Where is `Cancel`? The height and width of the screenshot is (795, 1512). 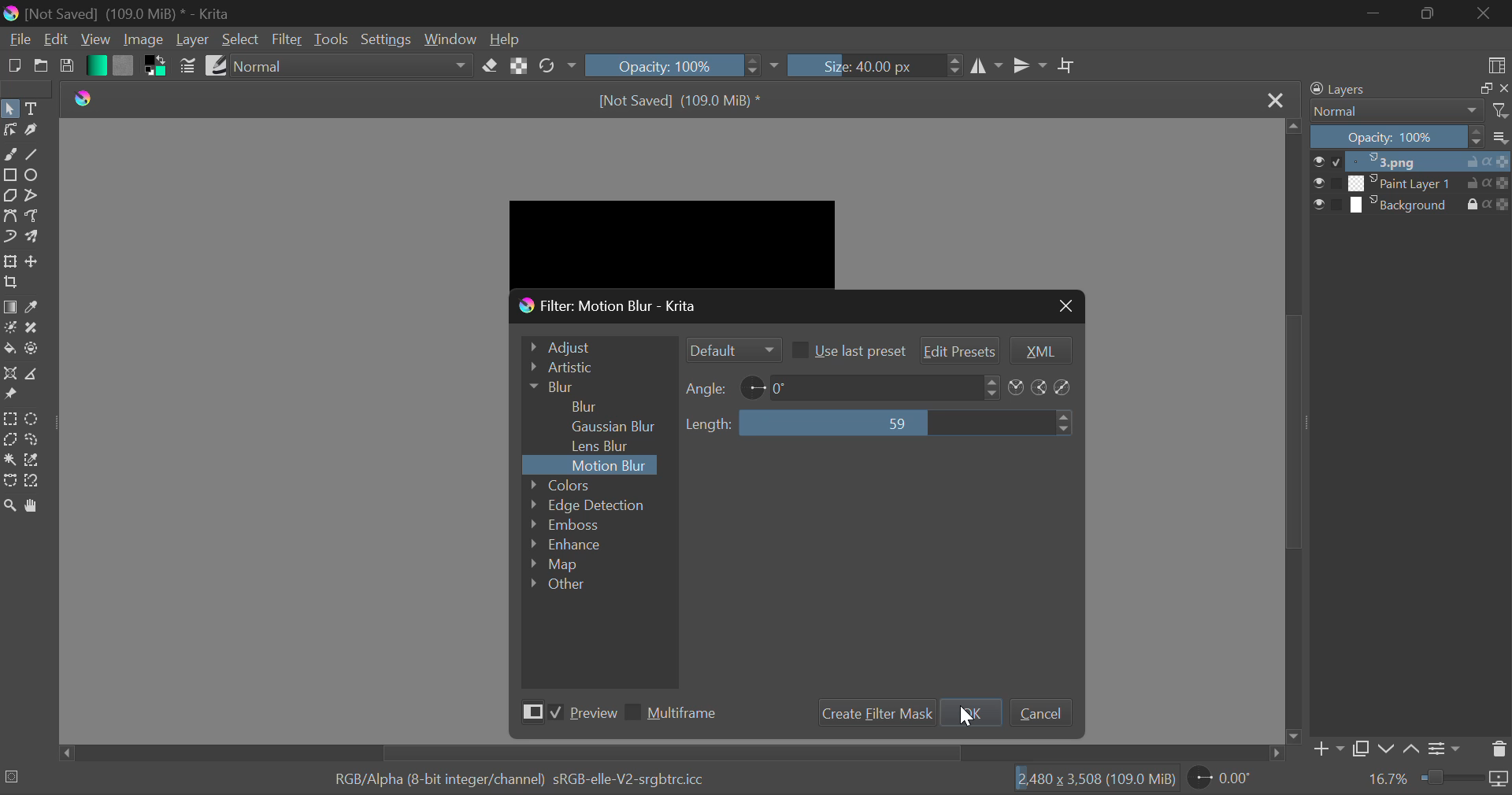
Cancel is located at coordinates (1040, 712).